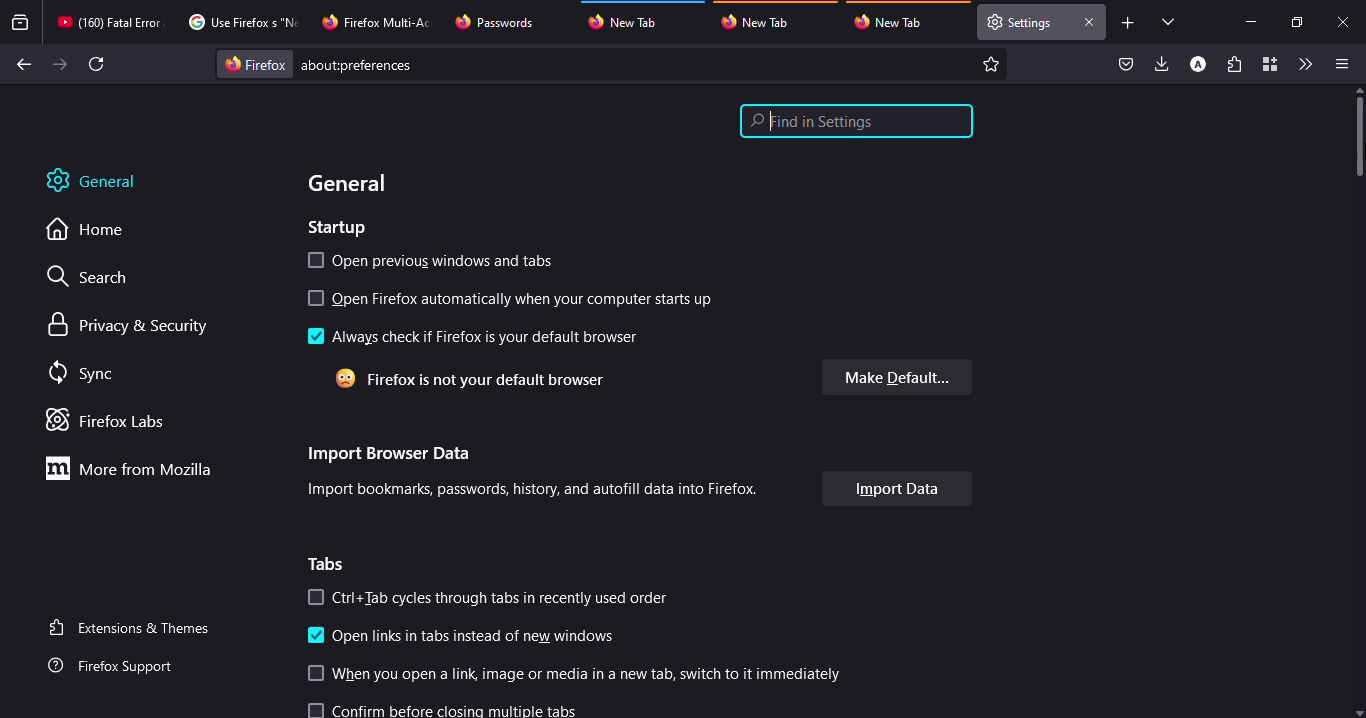 This screenshot has width=1366, height=718. Describe the element at coordinates (85, 374) in the screenshot. I see `sync` at that location.